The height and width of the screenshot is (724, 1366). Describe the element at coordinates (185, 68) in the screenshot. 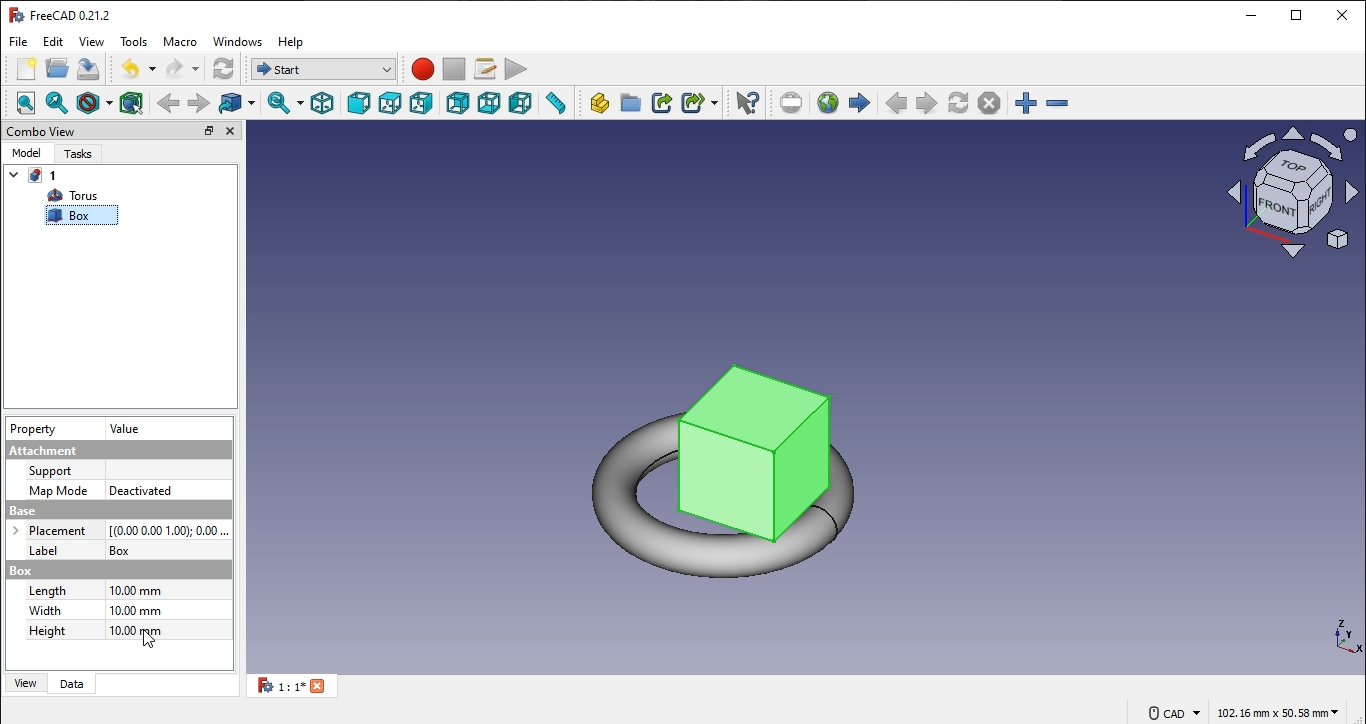

I see `redo` at that location.